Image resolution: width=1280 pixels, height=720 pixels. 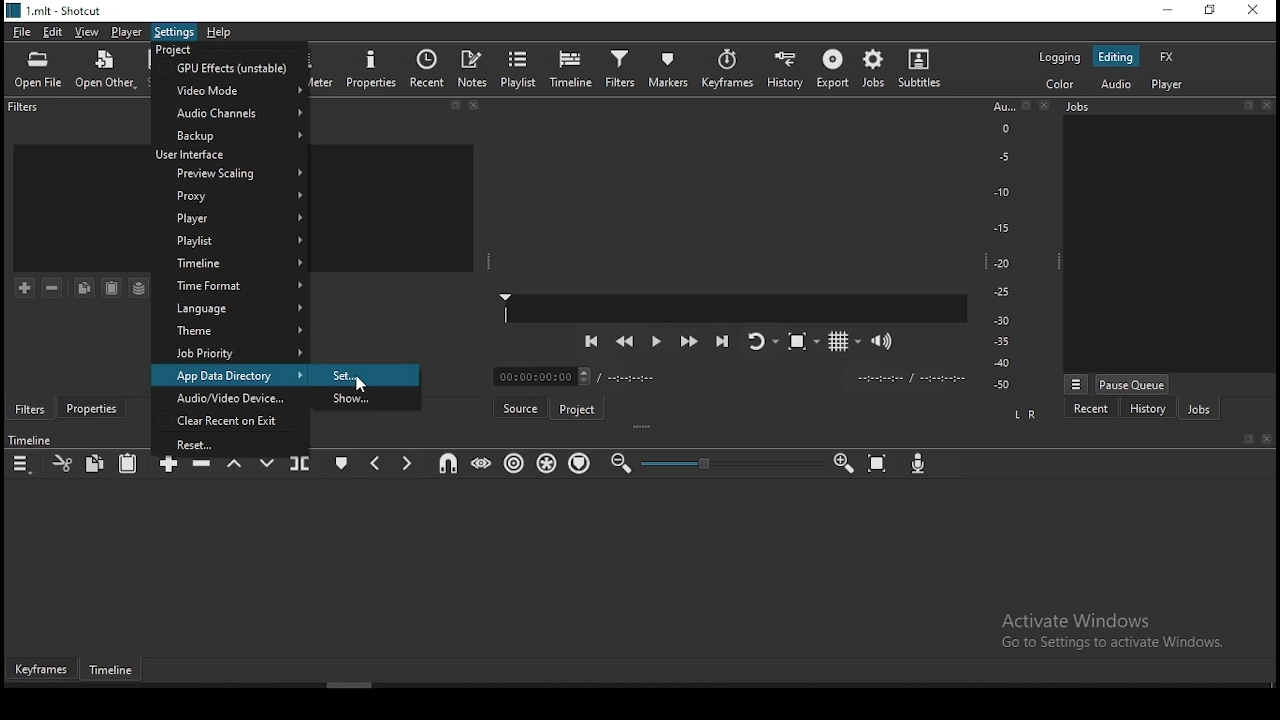 I want to click on user interface, so click(x=231, y=155).